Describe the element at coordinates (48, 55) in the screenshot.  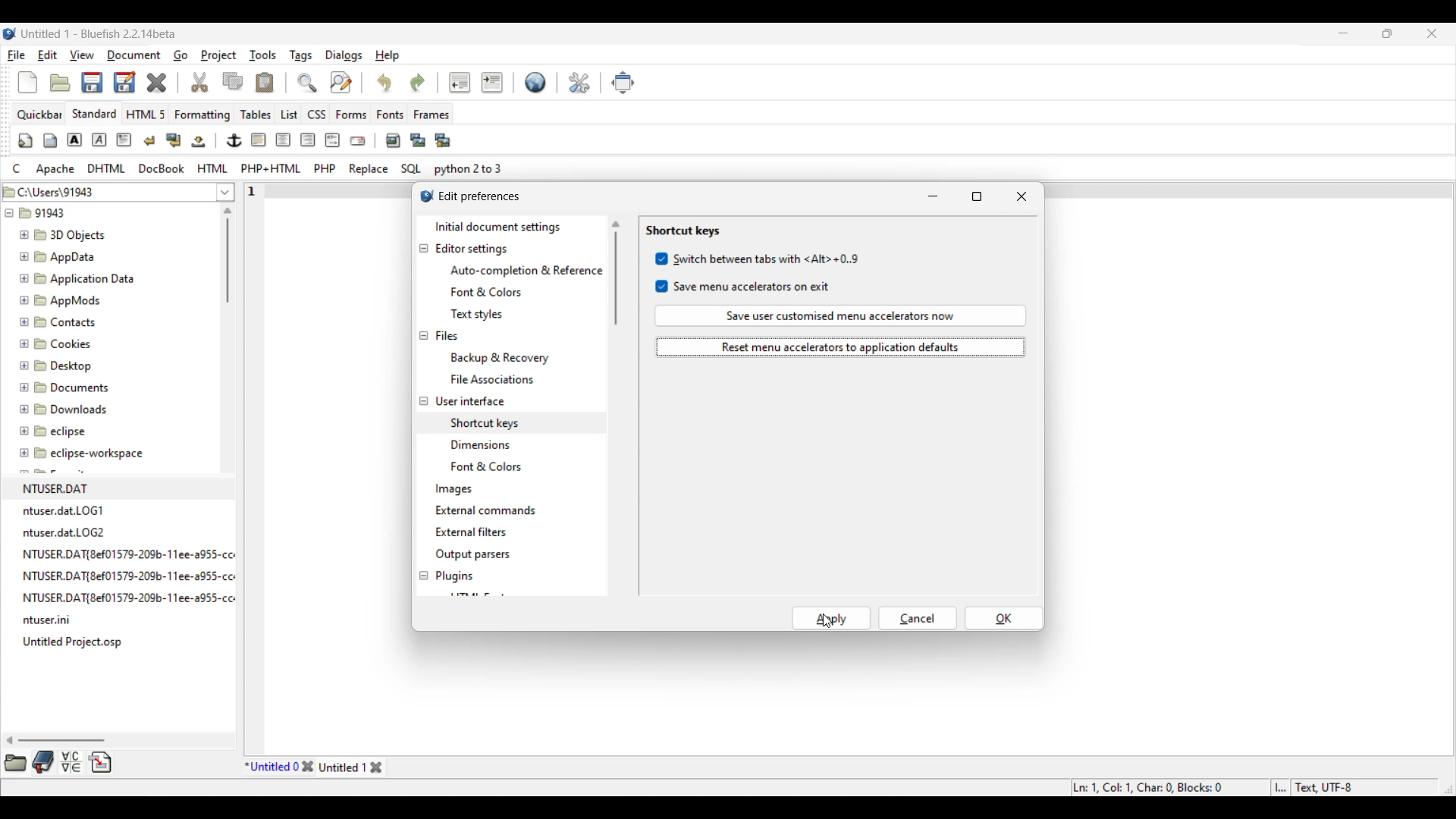
I see `Edit menu` at that location.